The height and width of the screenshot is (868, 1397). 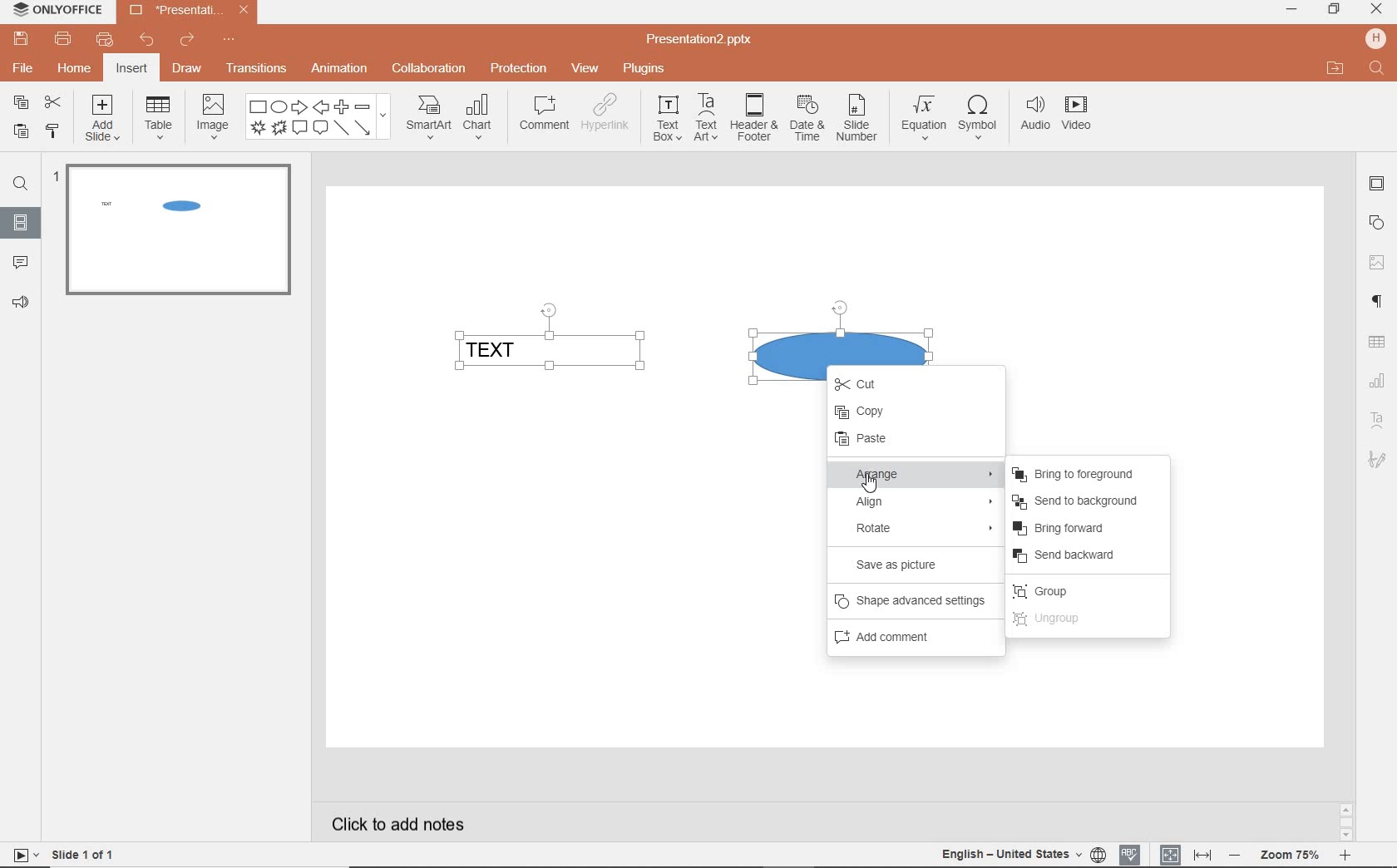 What do you see at coordinates (886, 411) in the screenshot?
I see `COPY` at bounding box center [886, 411].